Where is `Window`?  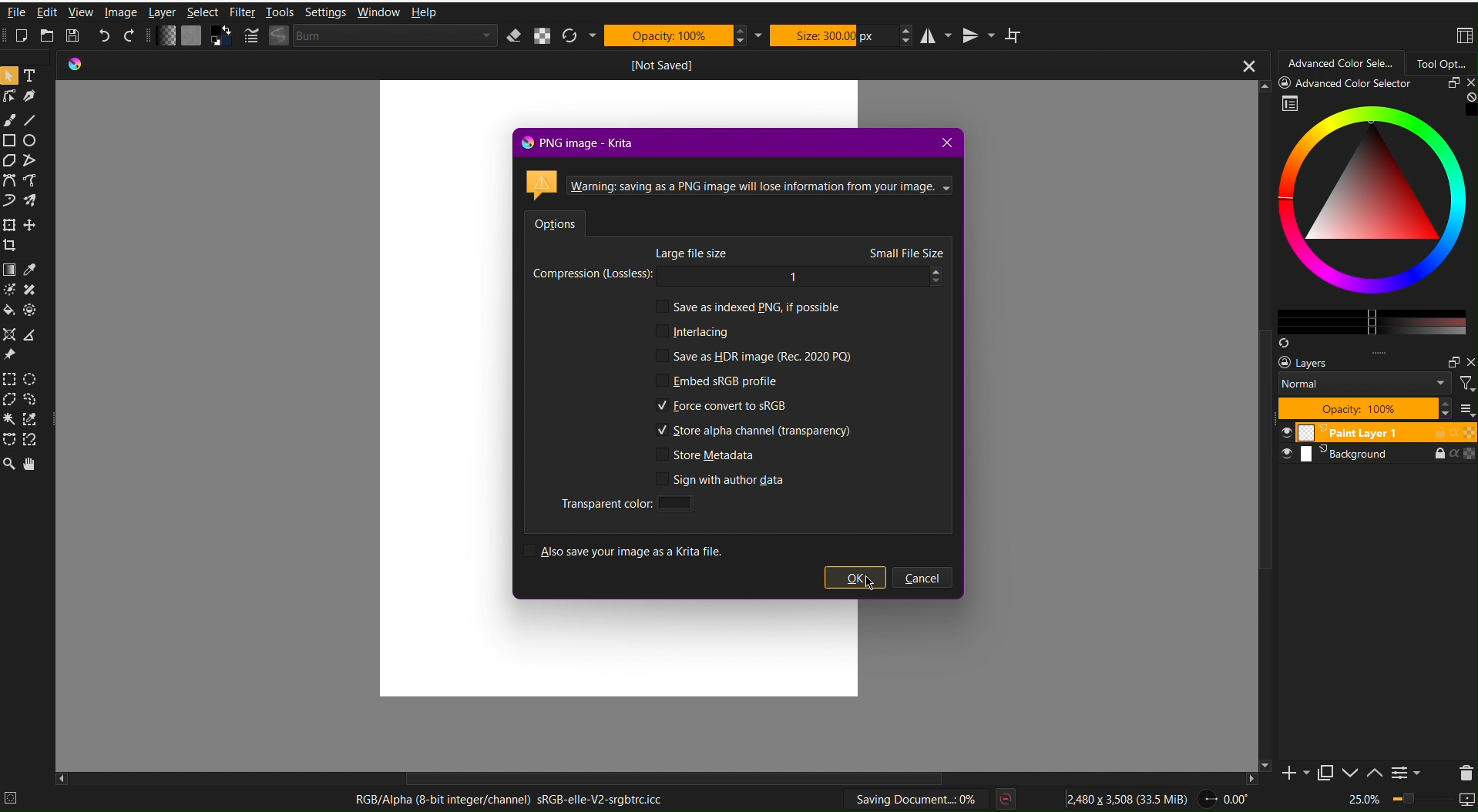
Window is located at coordinates (378, 13).